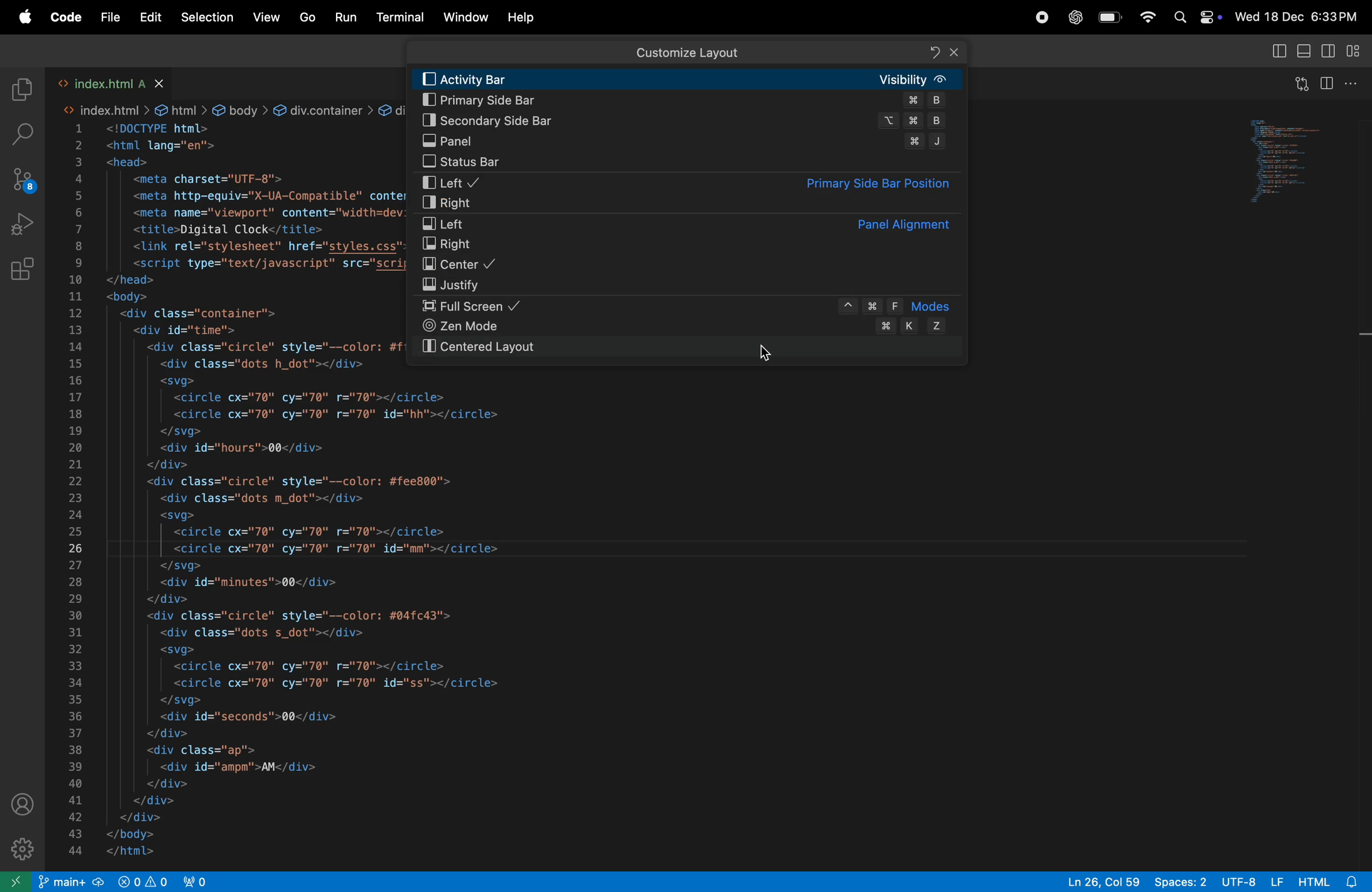 The image size is (1372, 892). I want to click on Center, so click(696, 265).